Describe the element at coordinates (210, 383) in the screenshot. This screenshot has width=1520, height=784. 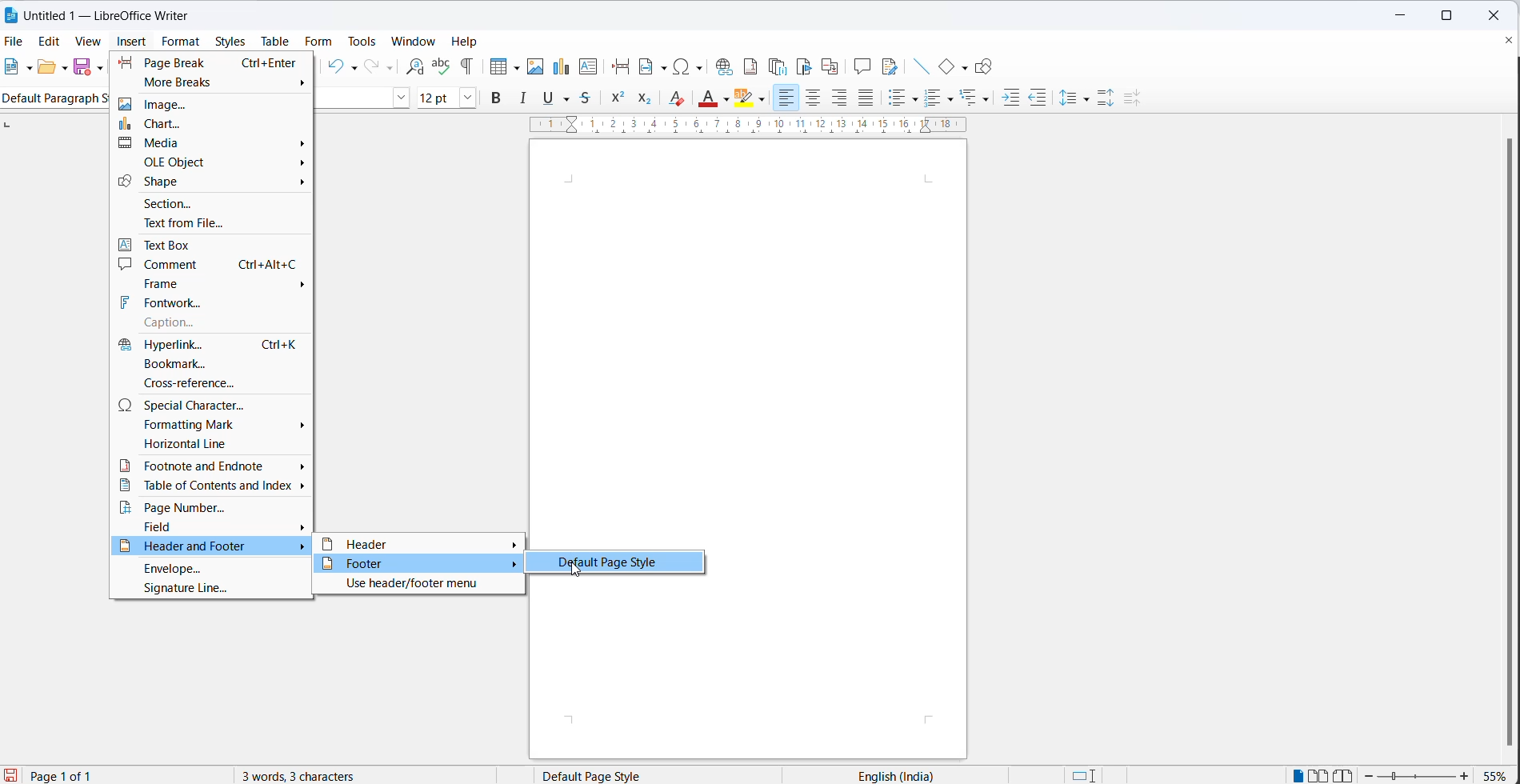
I see `cross-reference` at that location.